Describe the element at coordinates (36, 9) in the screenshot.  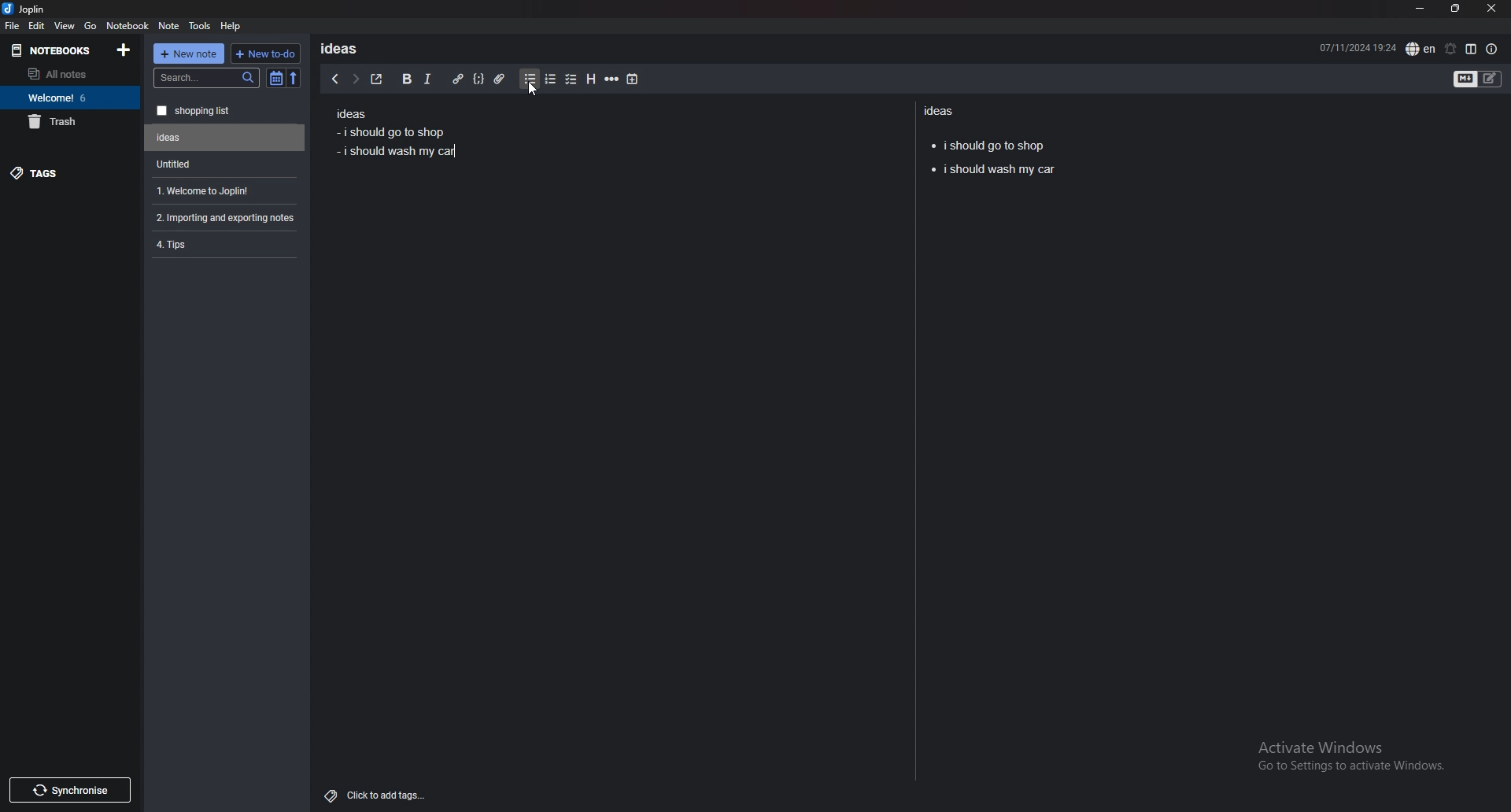
I see `Joplin` at that location.